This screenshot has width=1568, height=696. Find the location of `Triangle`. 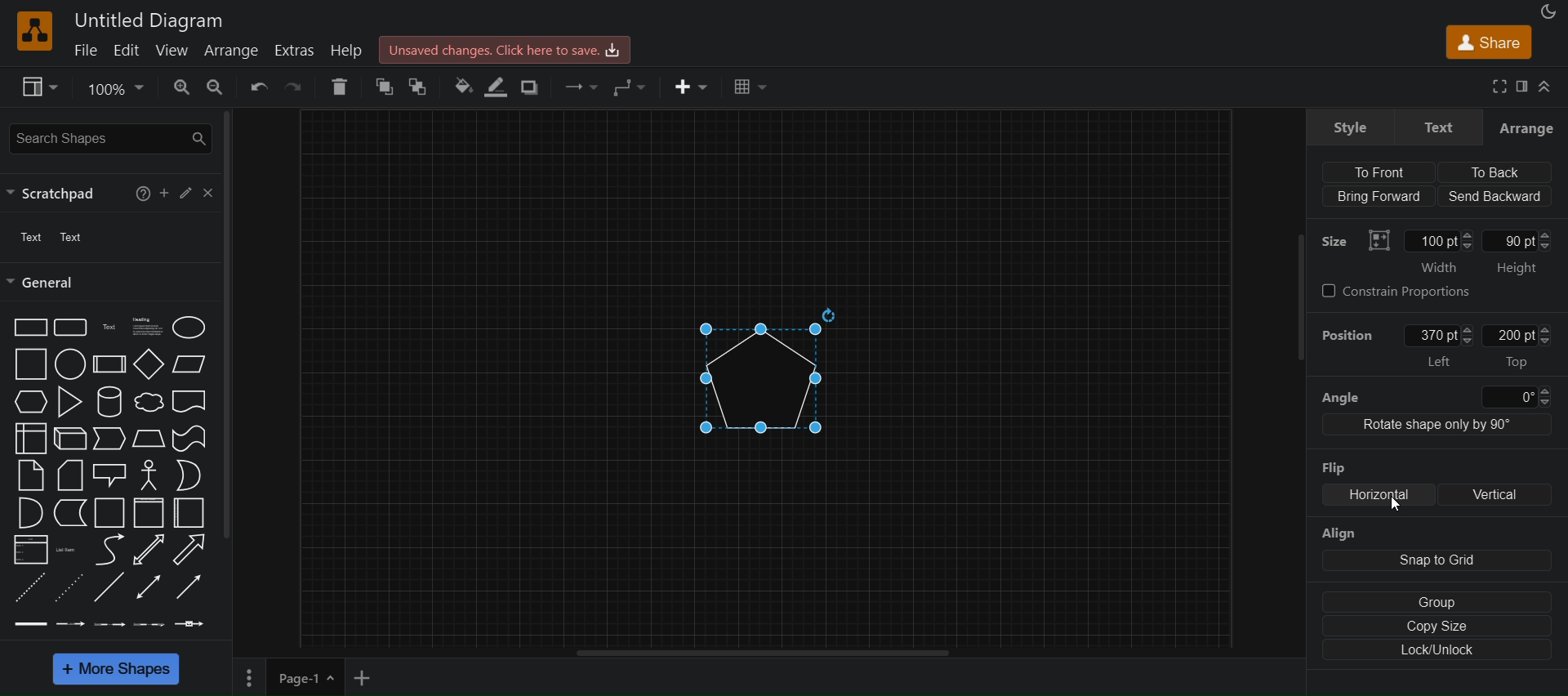

Triangle is located at coordinates (69, 402).